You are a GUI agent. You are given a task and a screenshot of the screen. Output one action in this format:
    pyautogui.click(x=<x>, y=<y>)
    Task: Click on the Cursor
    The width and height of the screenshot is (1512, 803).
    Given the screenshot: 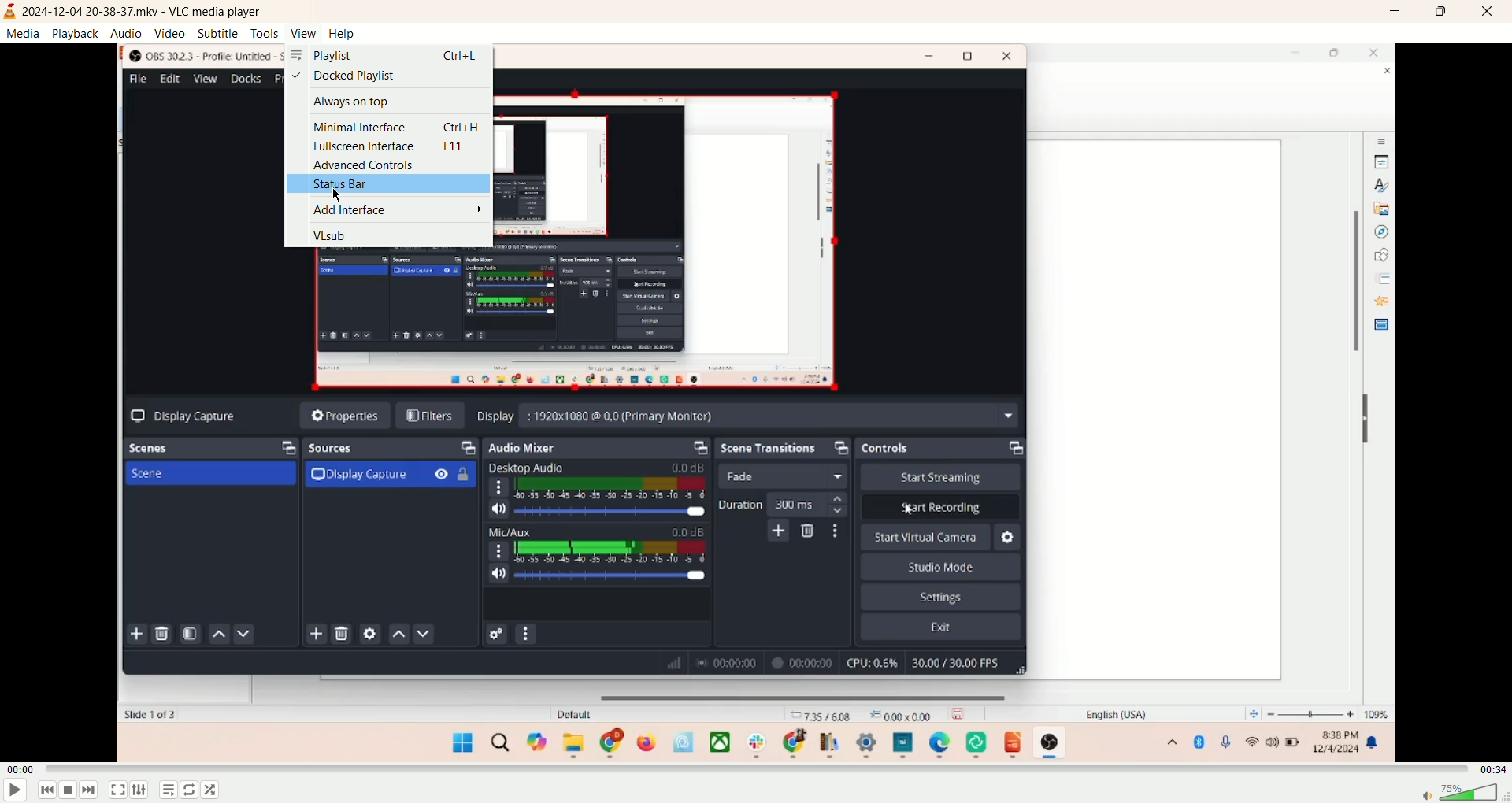 What is the action you would take?
    pyautogui.click(x=342, y=194)
    